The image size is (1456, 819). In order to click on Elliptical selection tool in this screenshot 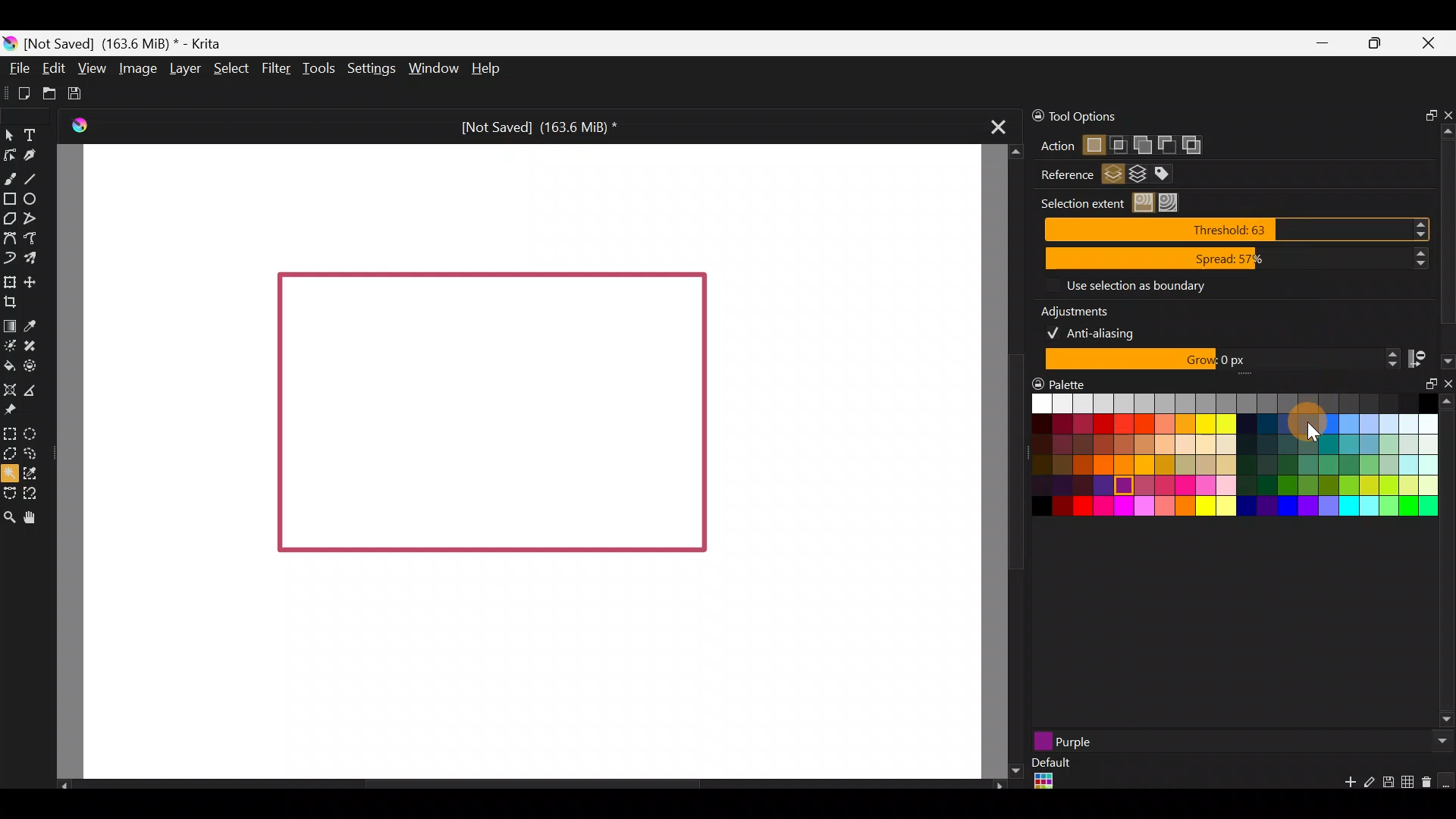, I will do `click(33, 433)`.